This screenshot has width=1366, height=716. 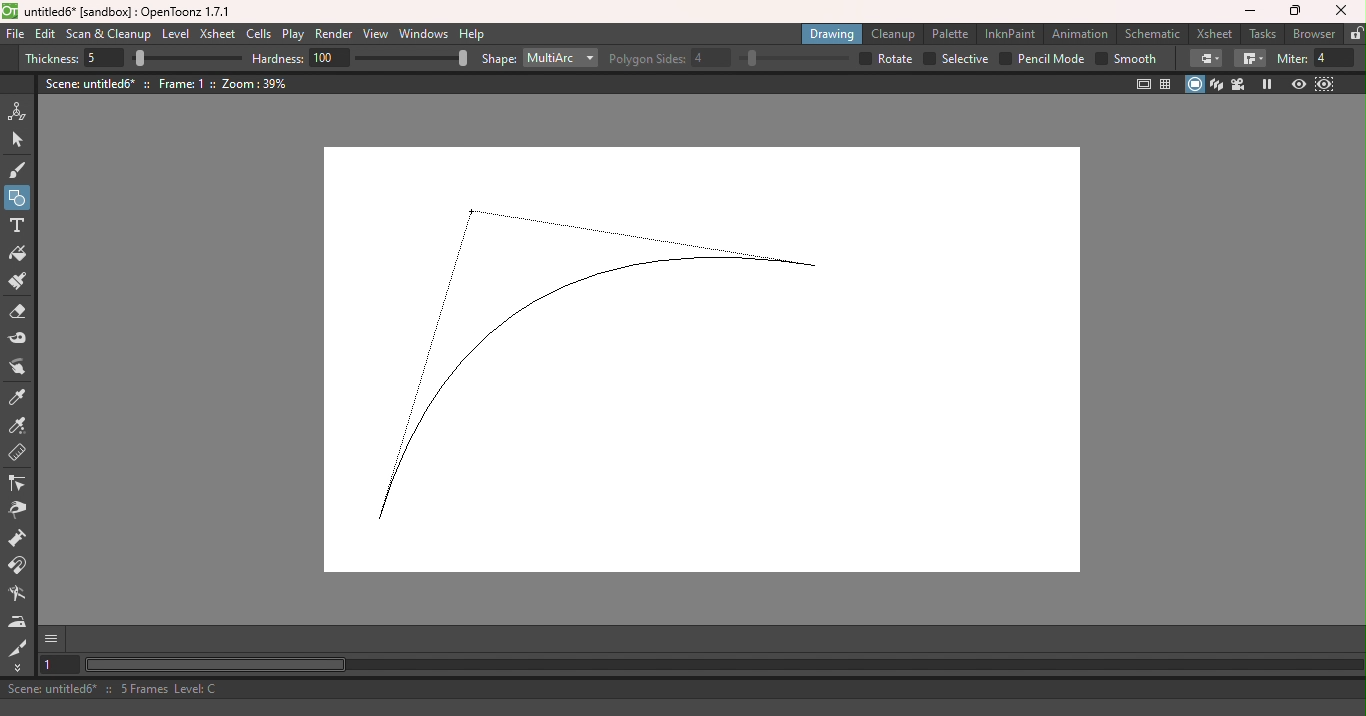 What do you see at coordinates (20, 112) in the screenshot?
I see `Animate tool` at bounding box center [20, 112].